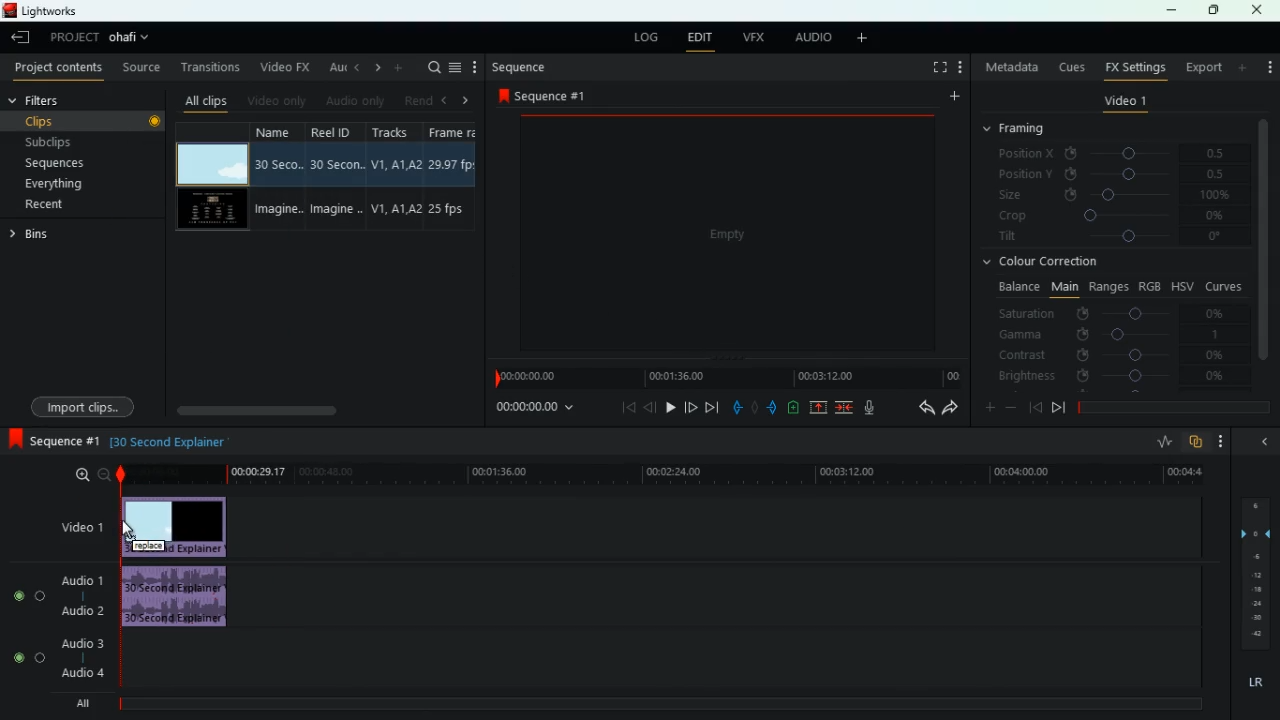 The height and width of the screenshot is (720, 1280). What do you see at coordinates (1014, 408) in the screenshot?
I see `minus` at bounding box center [1014, 408].